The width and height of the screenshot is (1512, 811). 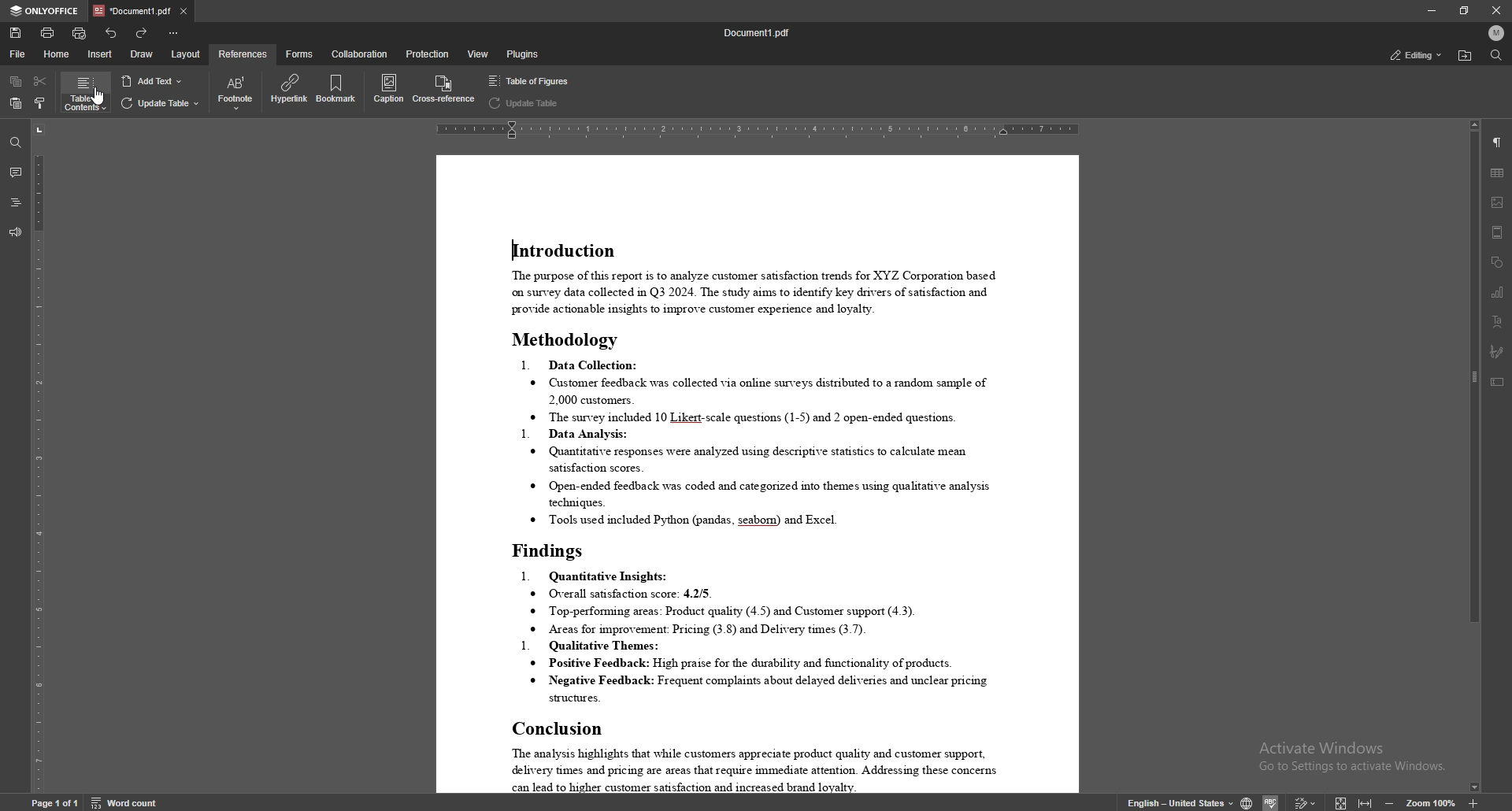 What do you see at coordinates (523, 55) in the screenshot?
I see `plugins` at bounding box center [523, 55].